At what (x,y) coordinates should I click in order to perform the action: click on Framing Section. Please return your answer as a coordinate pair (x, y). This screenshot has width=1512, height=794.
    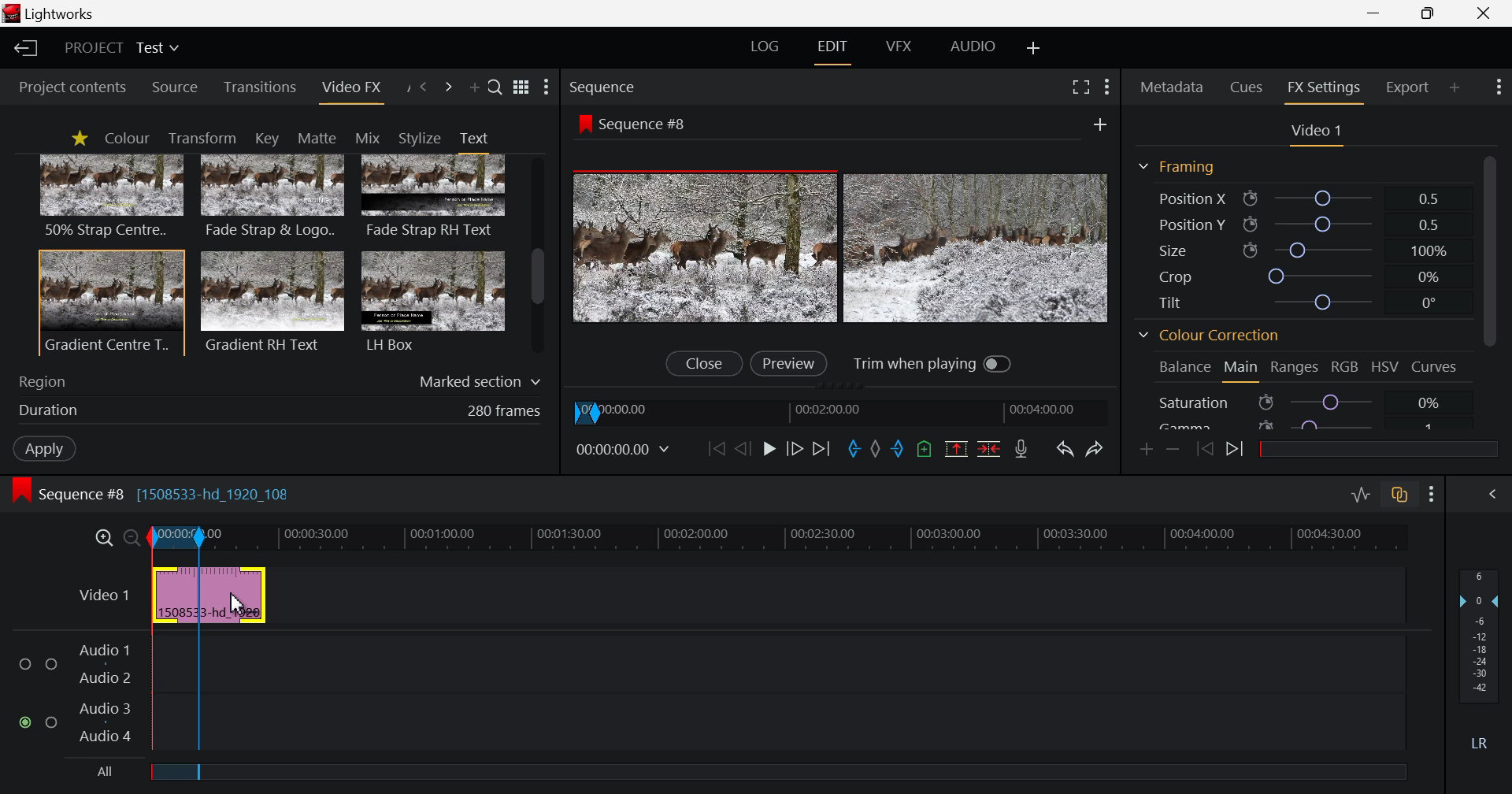
    Looking at the image, I should click on (1183, 166).